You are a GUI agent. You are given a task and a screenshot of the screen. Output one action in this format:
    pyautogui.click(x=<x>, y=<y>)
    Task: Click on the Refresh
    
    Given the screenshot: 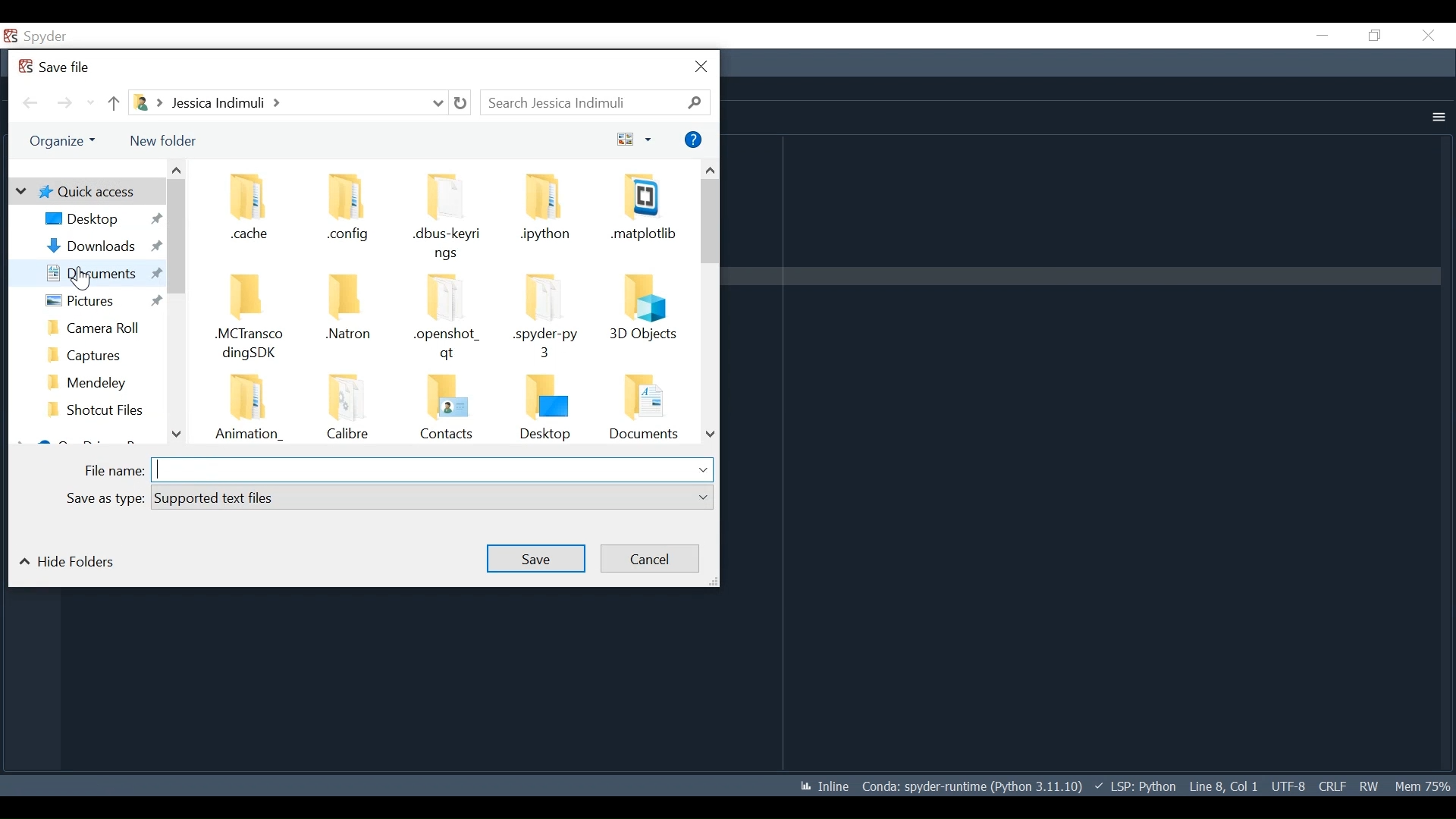 What is the action you would take?
    pyautogui.click(x=460, y=103)
    